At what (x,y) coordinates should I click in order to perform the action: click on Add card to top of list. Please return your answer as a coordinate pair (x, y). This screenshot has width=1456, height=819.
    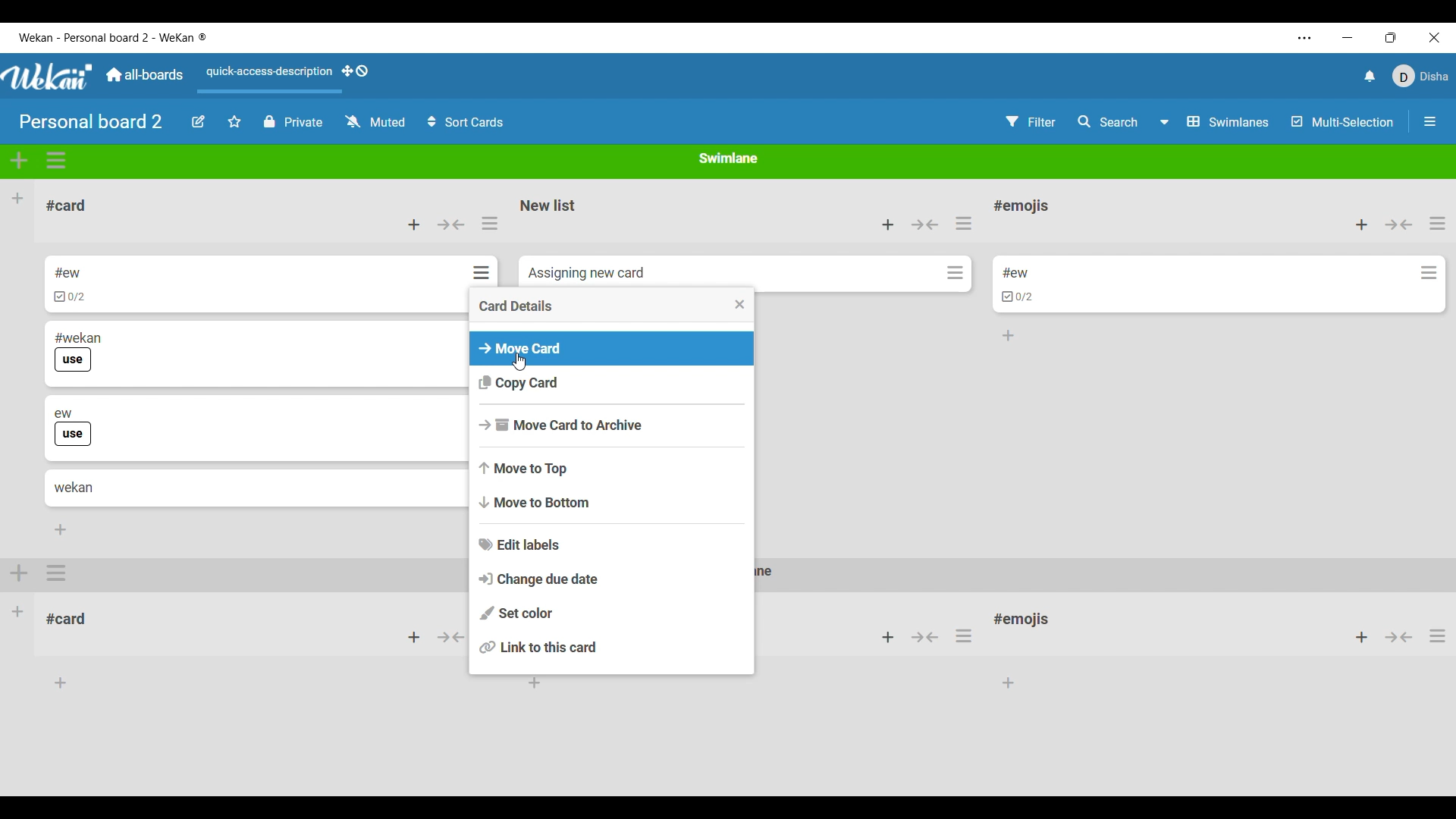
    Looking at the image, I should click on (888, 224).